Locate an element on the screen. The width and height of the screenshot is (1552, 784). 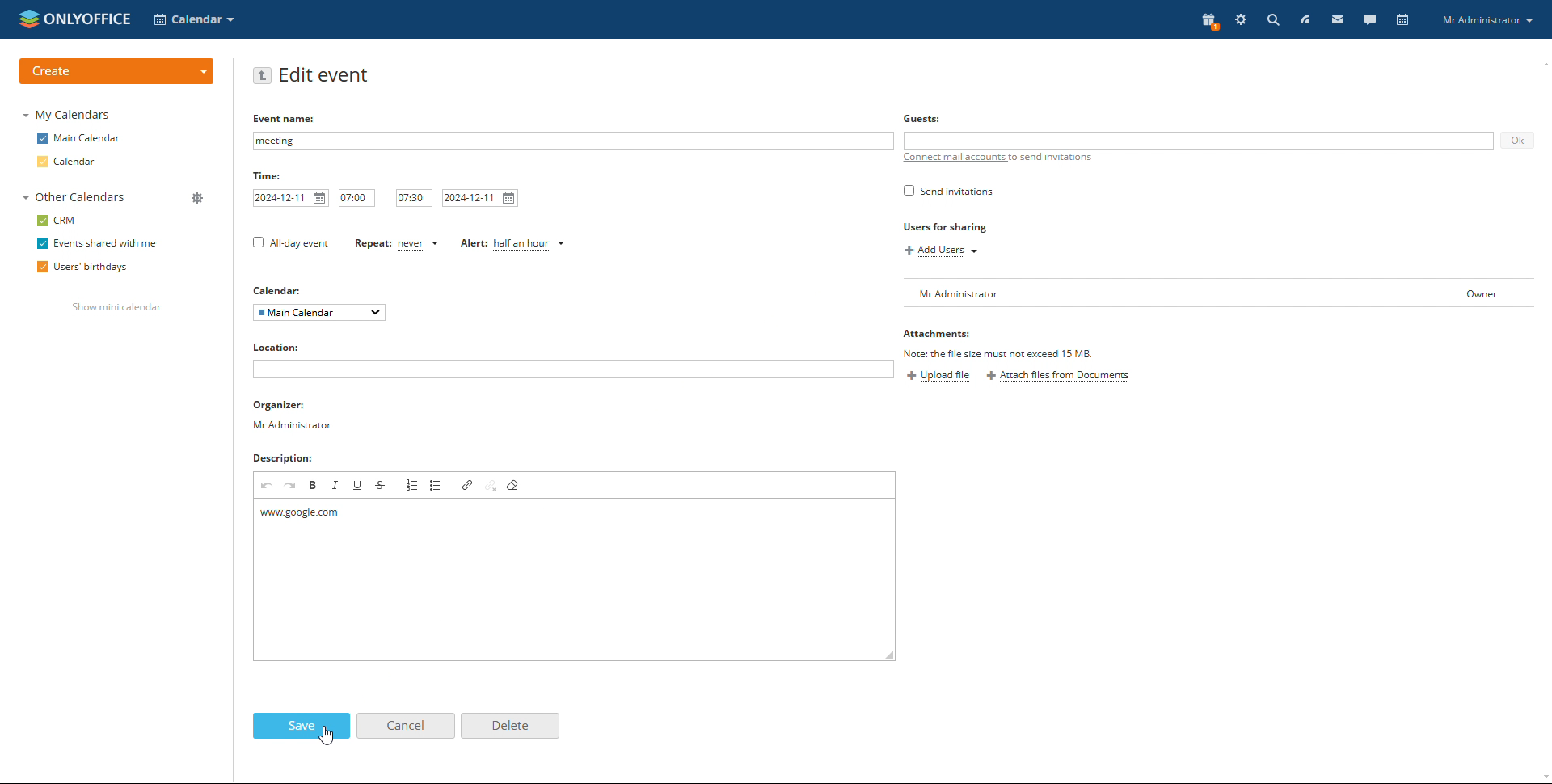
save is located at coordinates (302, 726).